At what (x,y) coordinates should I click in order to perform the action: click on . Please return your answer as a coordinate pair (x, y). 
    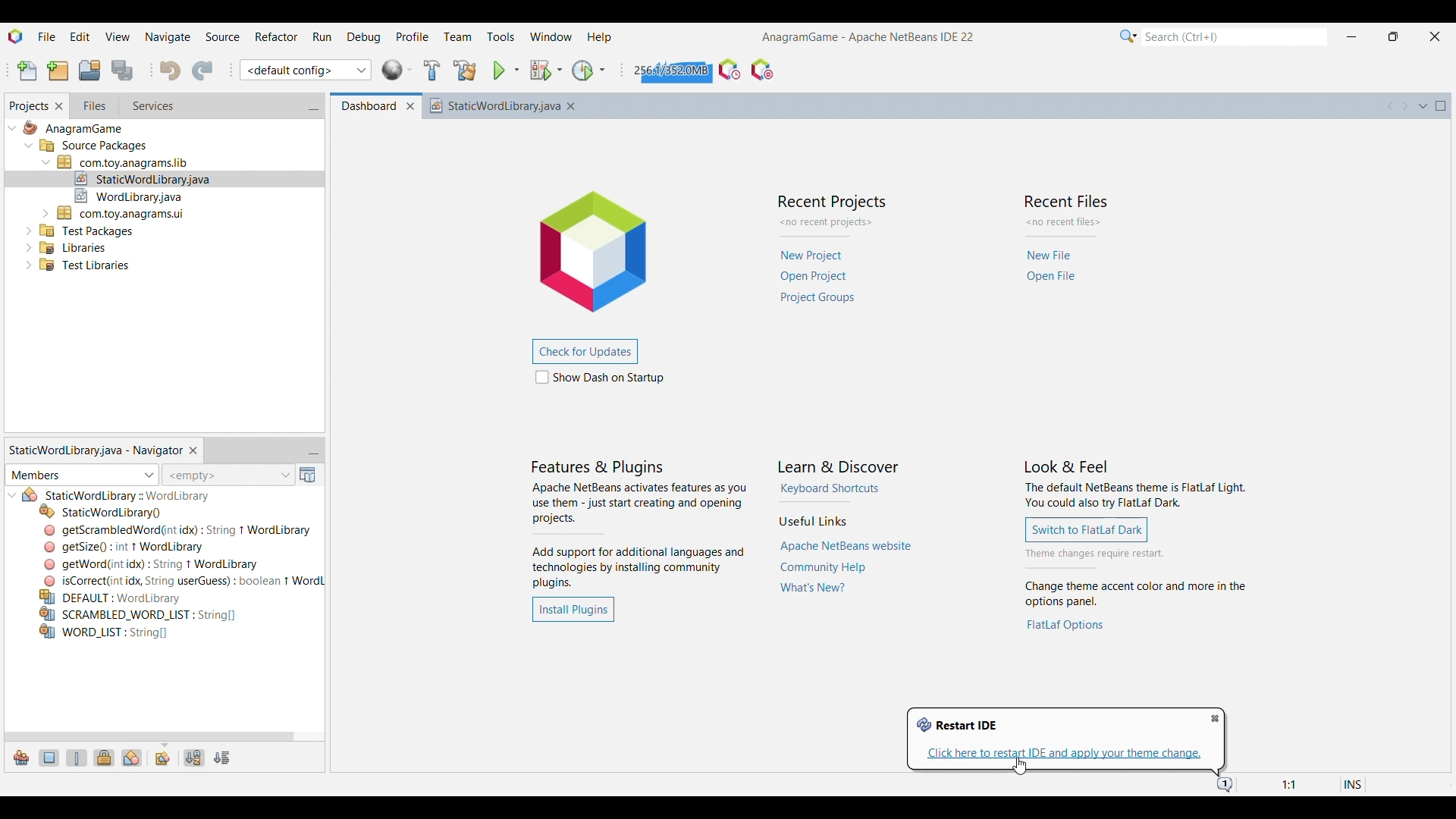
    Looking at the image, I should click on (127, 496).